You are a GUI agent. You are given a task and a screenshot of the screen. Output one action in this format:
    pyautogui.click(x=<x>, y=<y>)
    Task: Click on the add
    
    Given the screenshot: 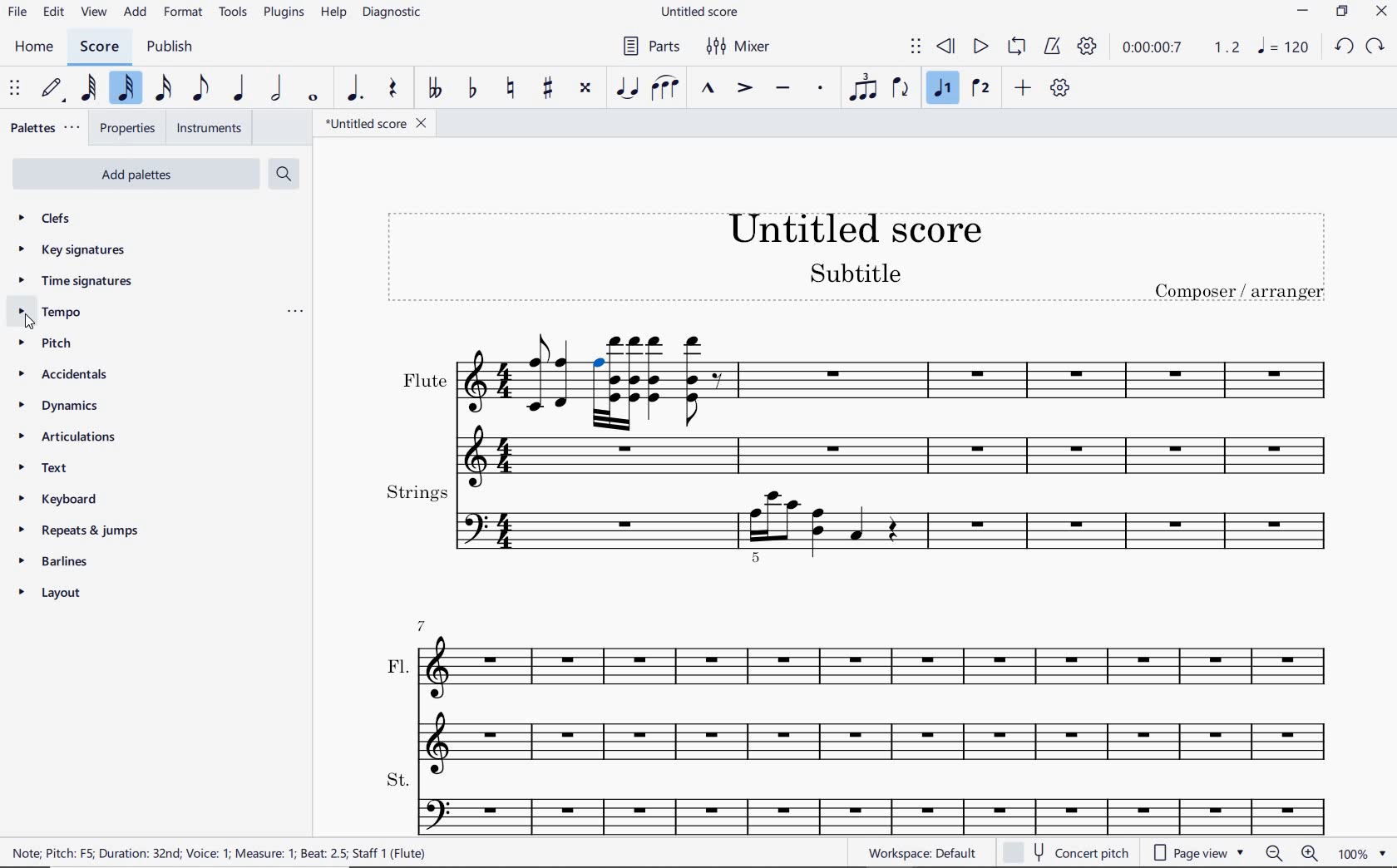 What is the action you would take?
    pyautogui.click(x=136, y=13)
    